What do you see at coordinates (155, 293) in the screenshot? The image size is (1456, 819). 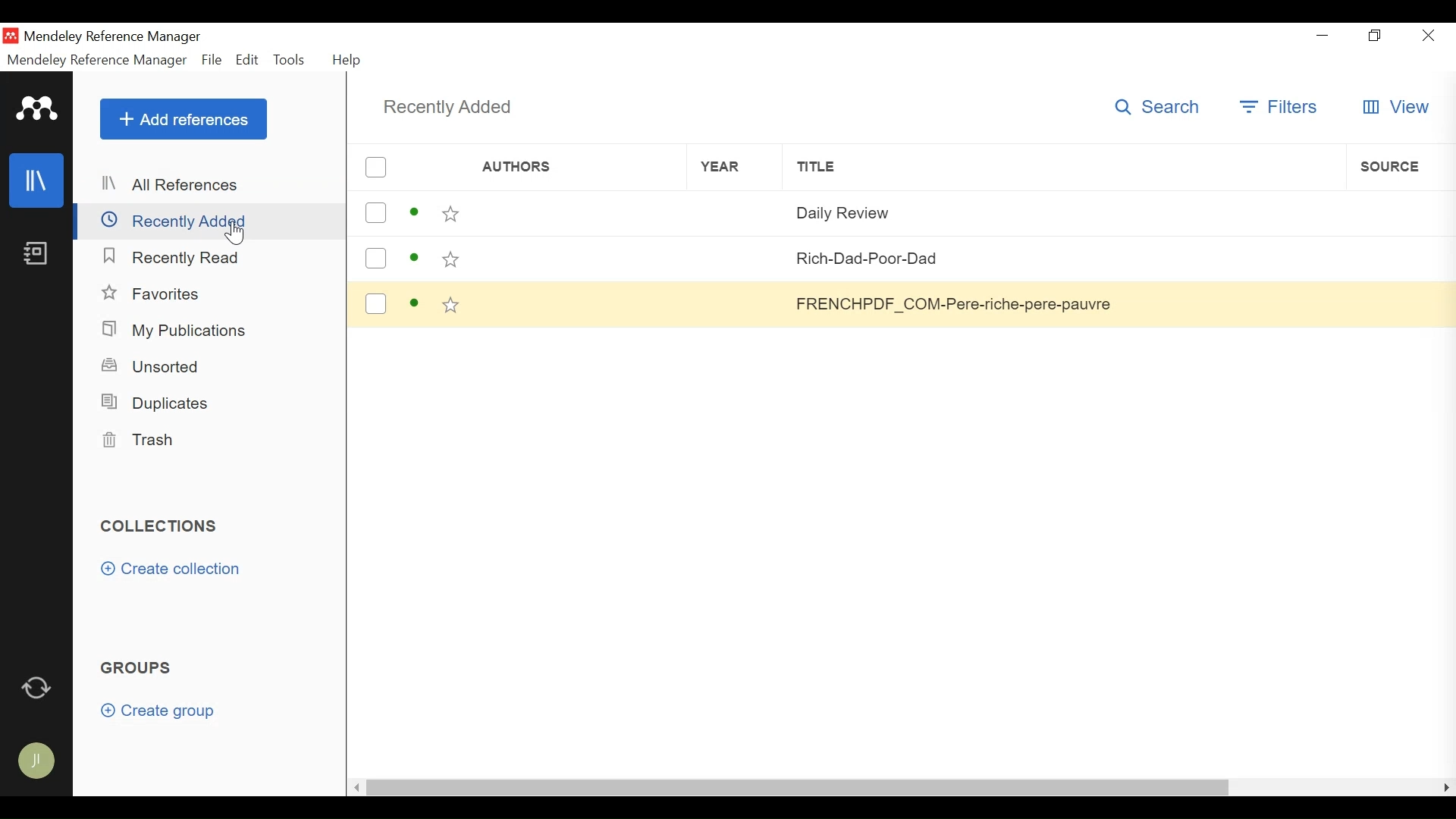 I see `Favorites` at bounding box center [155, 293].